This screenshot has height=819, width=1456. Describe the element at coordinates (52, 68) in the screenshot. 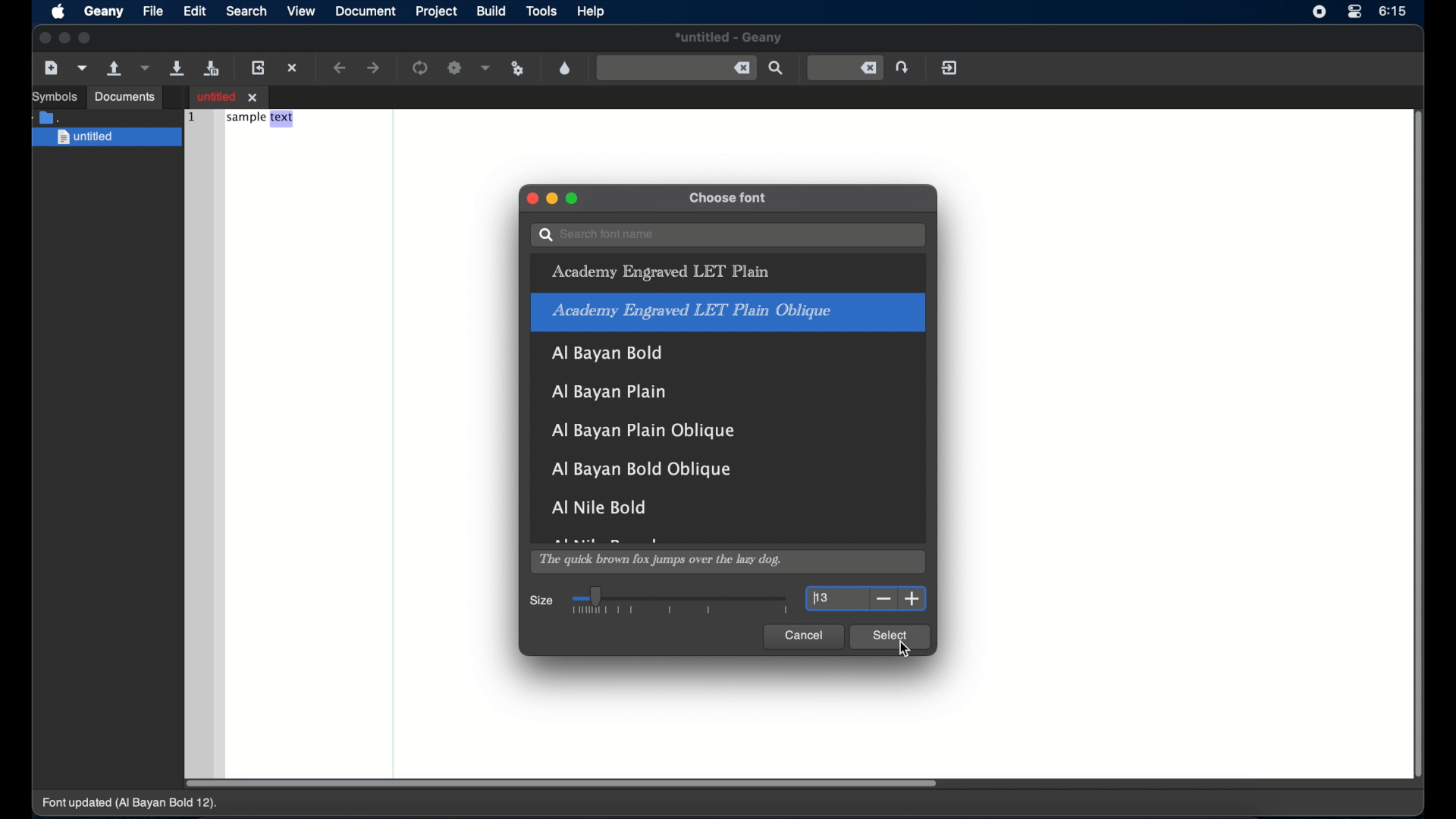

I see `create a new file` at that location.